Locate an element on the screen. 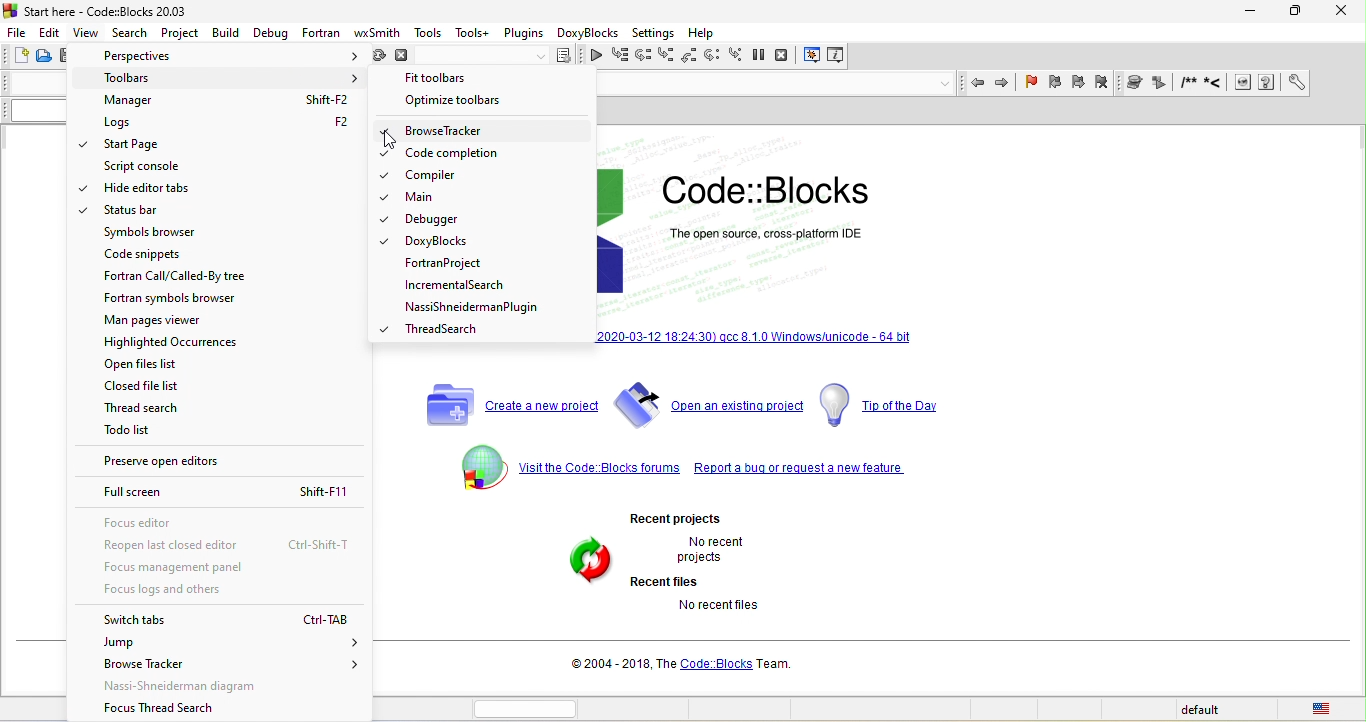 The height and width of the screenshot is (722, 1366). open preference is located at coordinates (1294, 83).